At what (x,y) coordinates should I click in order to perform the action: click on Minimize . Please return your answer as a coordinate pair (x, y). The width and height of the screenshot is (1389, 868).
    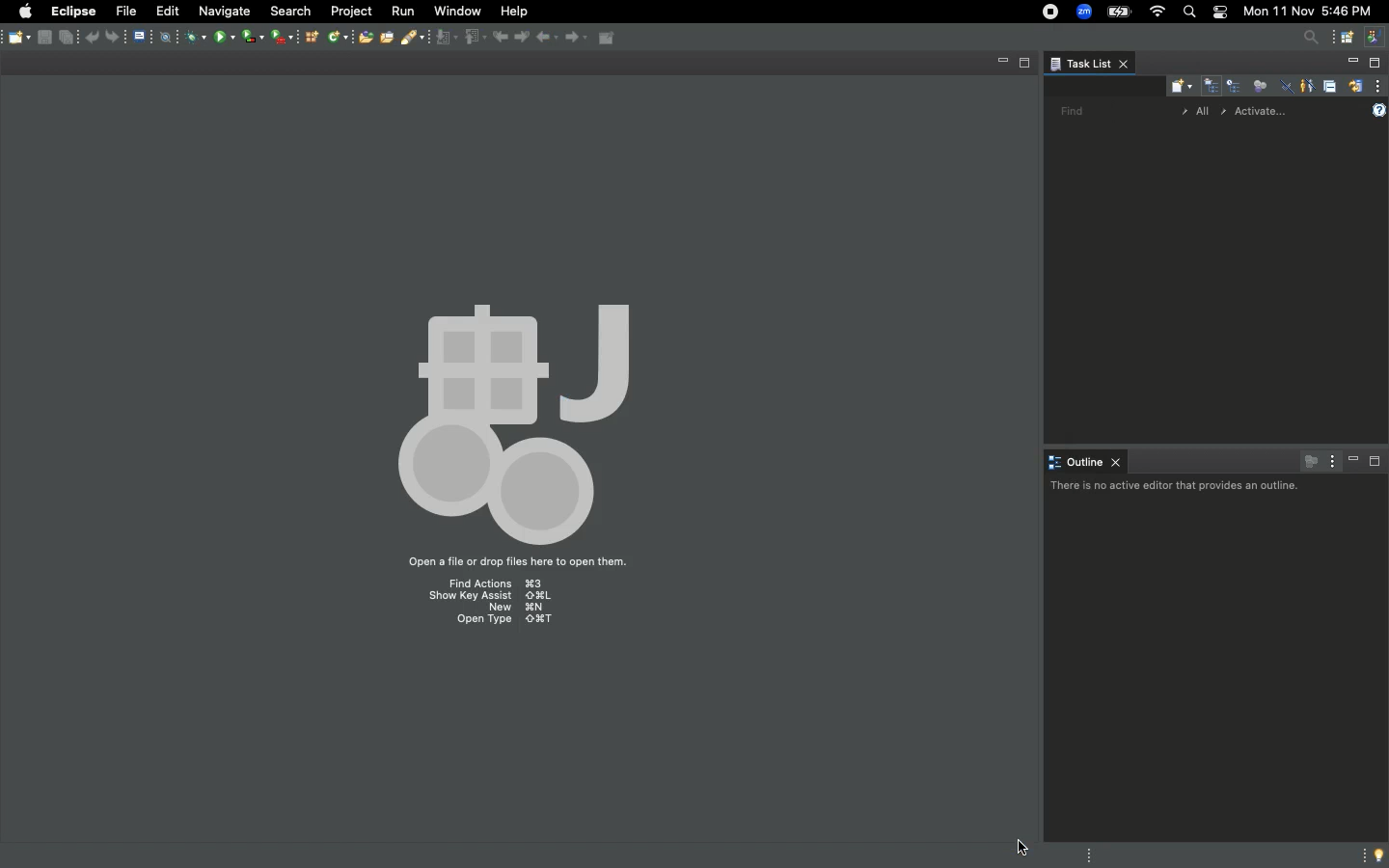
    Looking at the image, I should click on (1349, 64).